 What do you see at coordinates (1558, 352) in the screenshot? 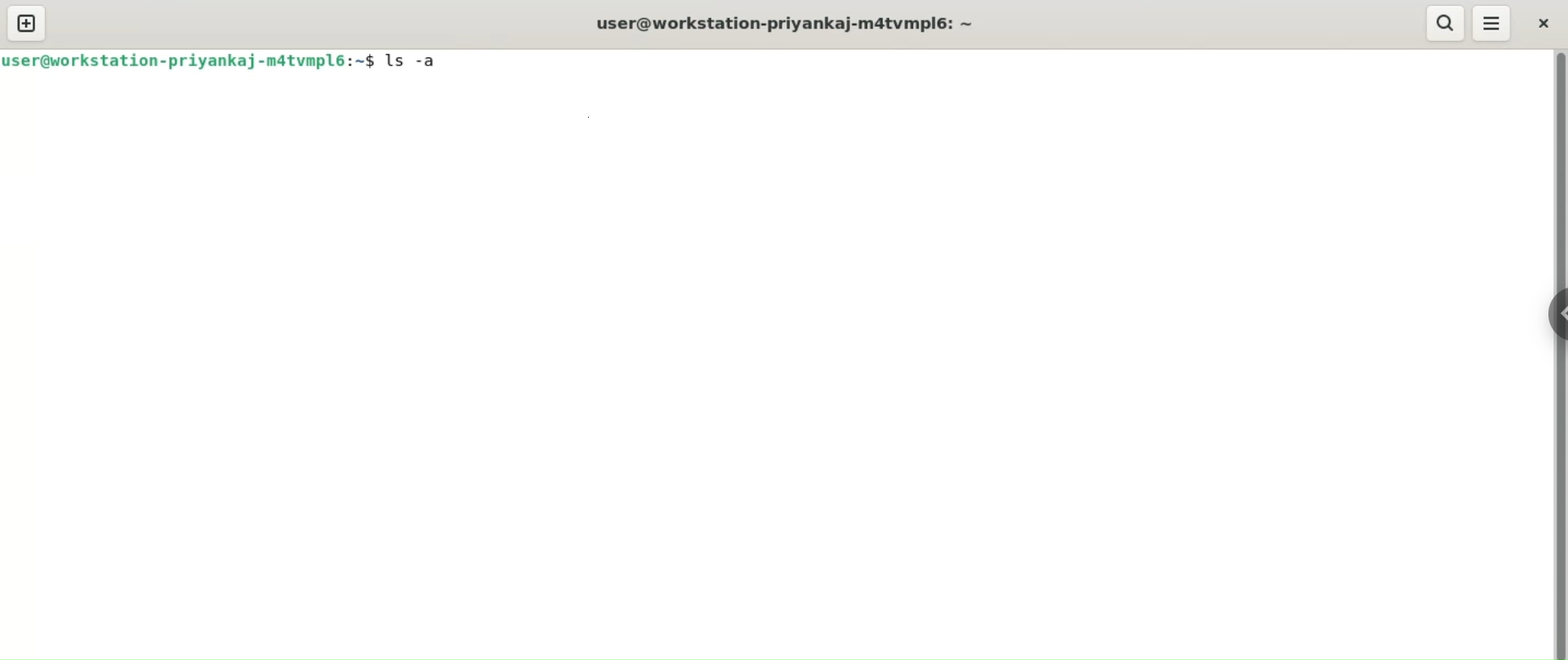
I see `vertical scroll bar` at bounding box center [1558, 352].